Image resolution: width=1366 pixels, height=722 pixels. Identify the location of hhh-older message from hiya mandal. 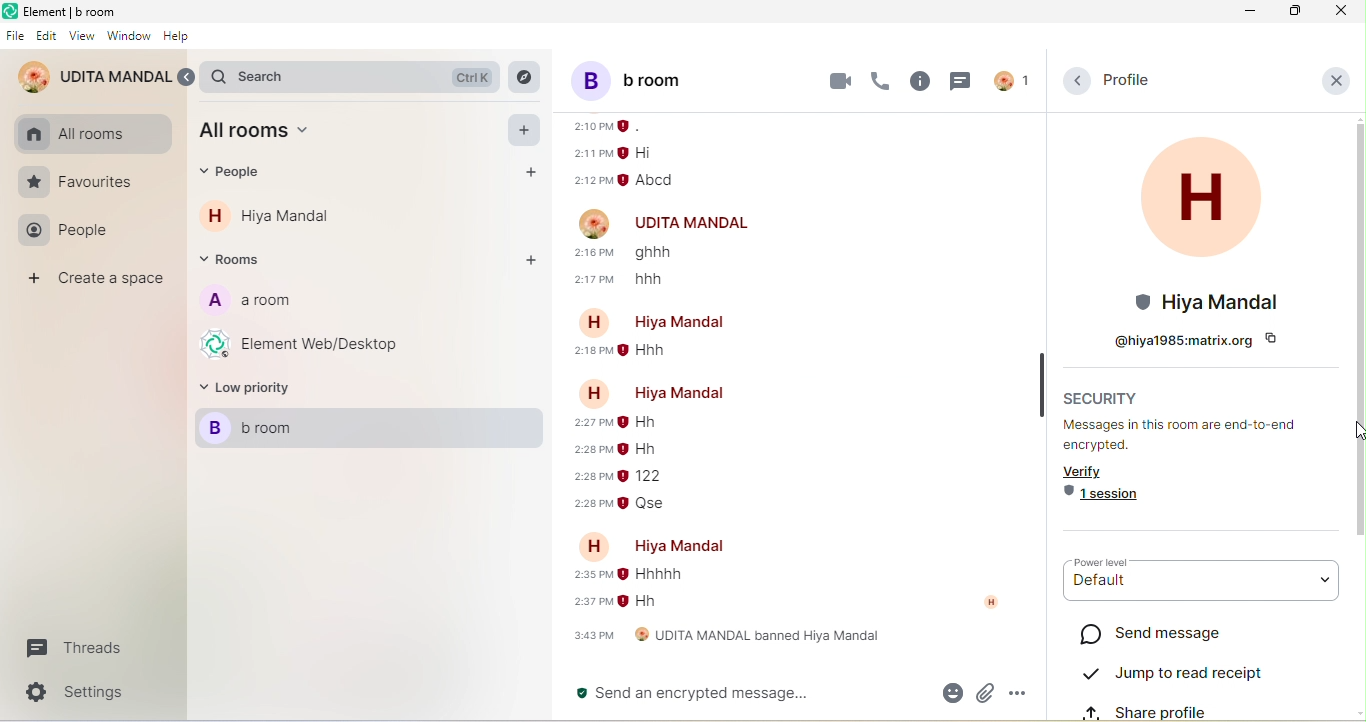
(652, 354).